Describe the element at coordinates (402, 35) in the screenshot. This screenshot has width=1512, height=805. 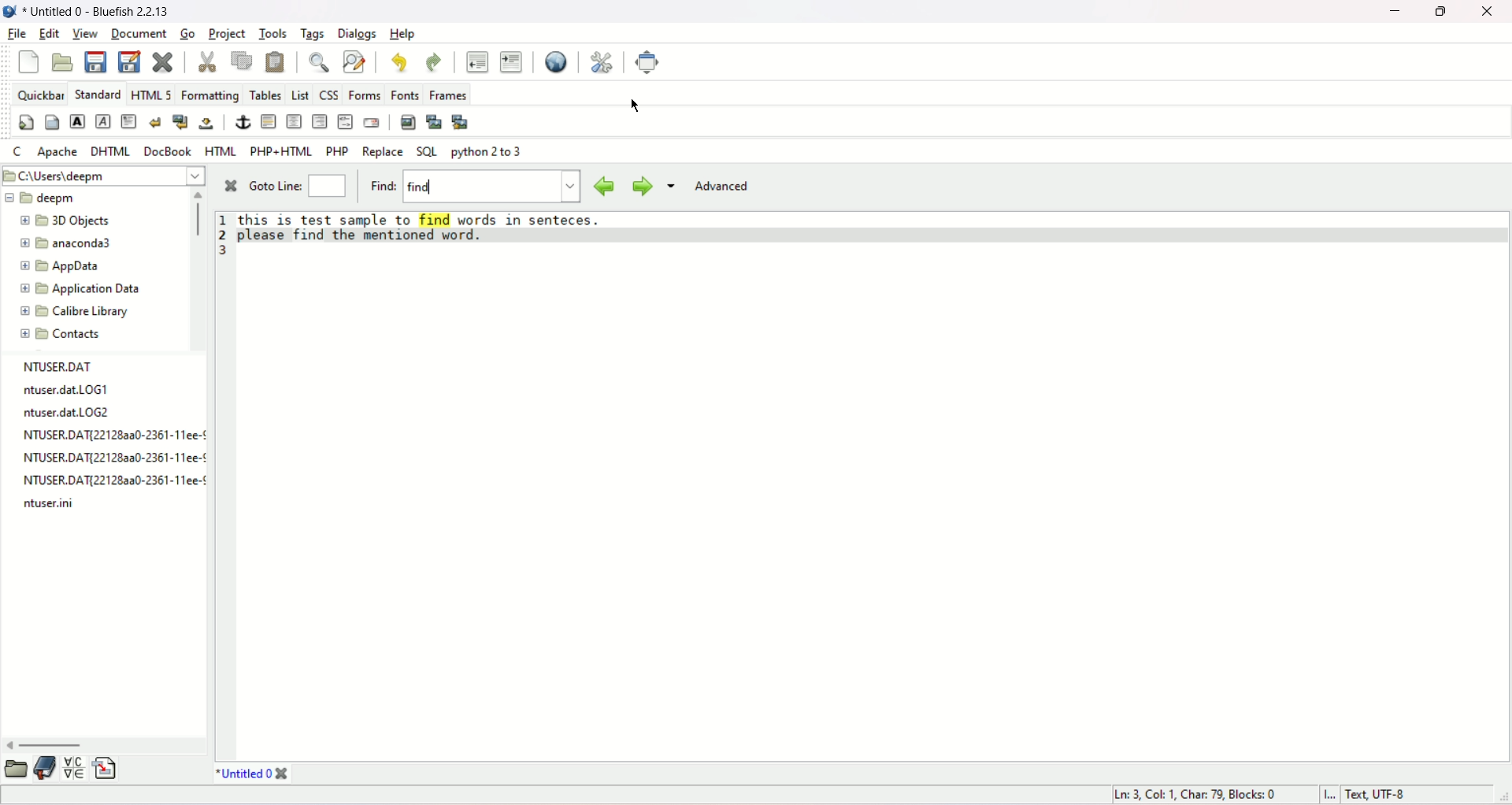
I see `help` at that location.